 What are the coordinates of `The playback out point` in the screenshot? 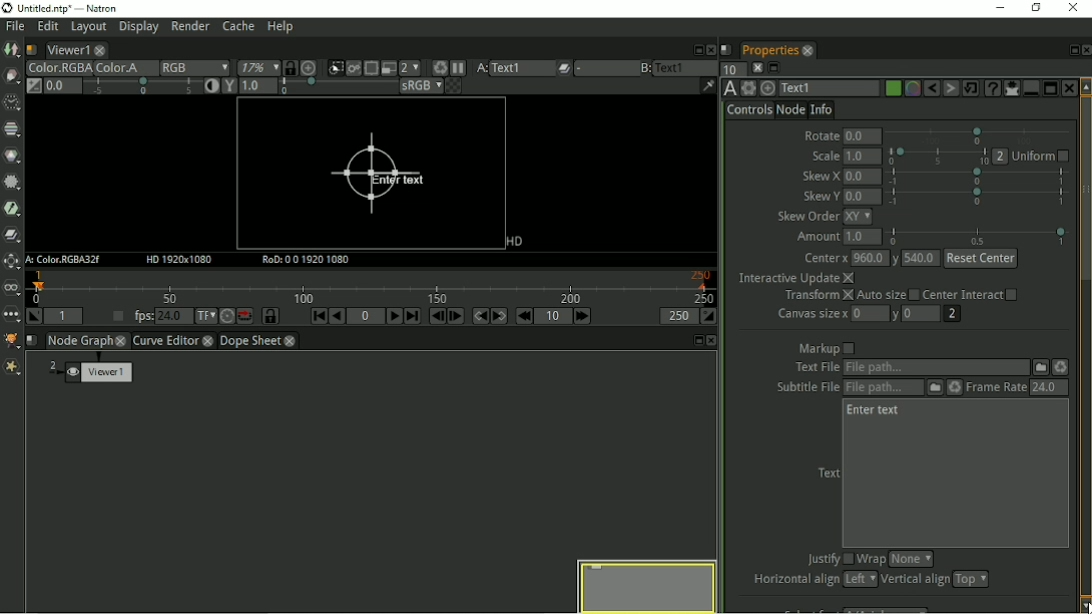 It's located at (678, 316).